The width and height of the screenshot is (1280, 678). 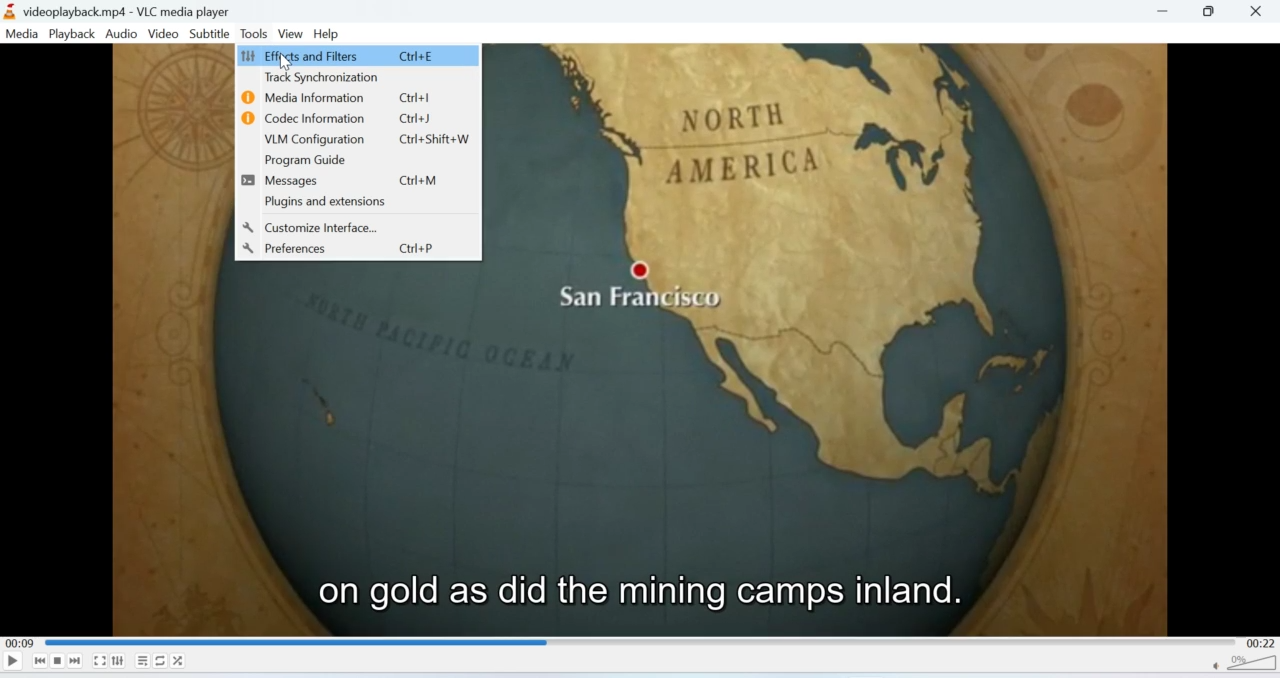 I want to click on Seek forward, so click(x=76, y=661).